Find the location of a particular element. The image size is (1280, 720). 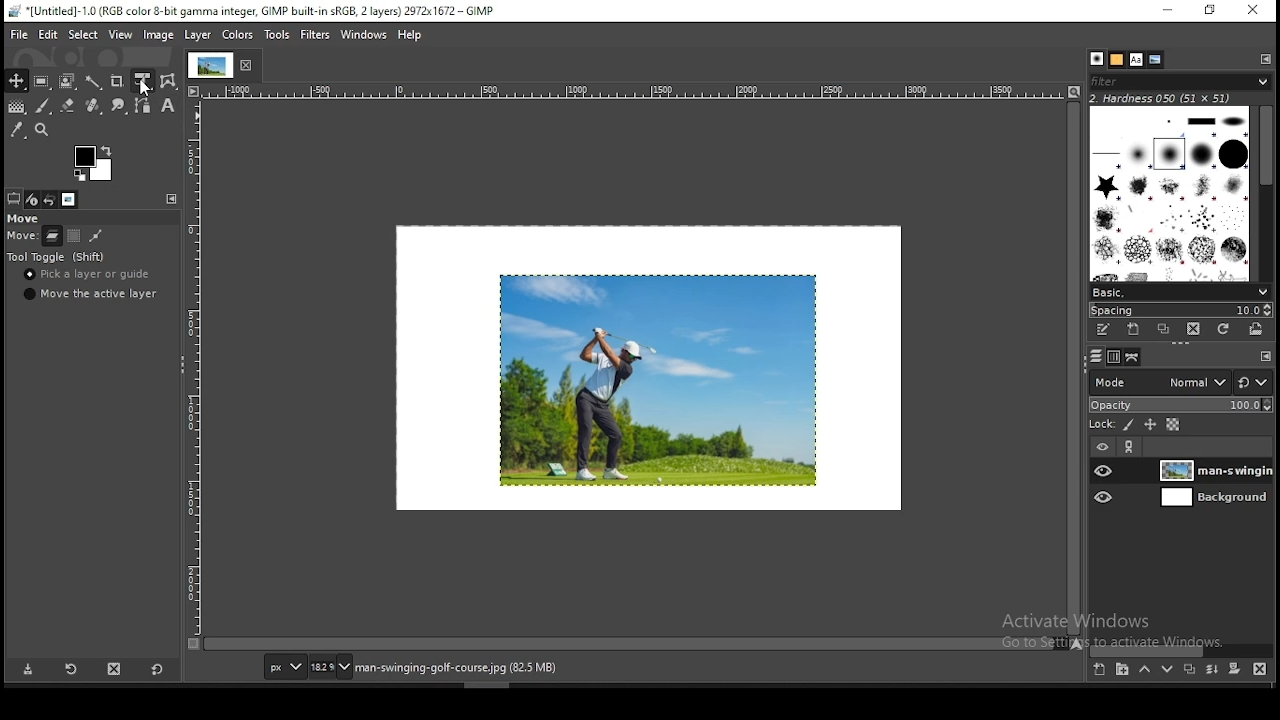

refresh brushes is located at coordinates (1224, 328).